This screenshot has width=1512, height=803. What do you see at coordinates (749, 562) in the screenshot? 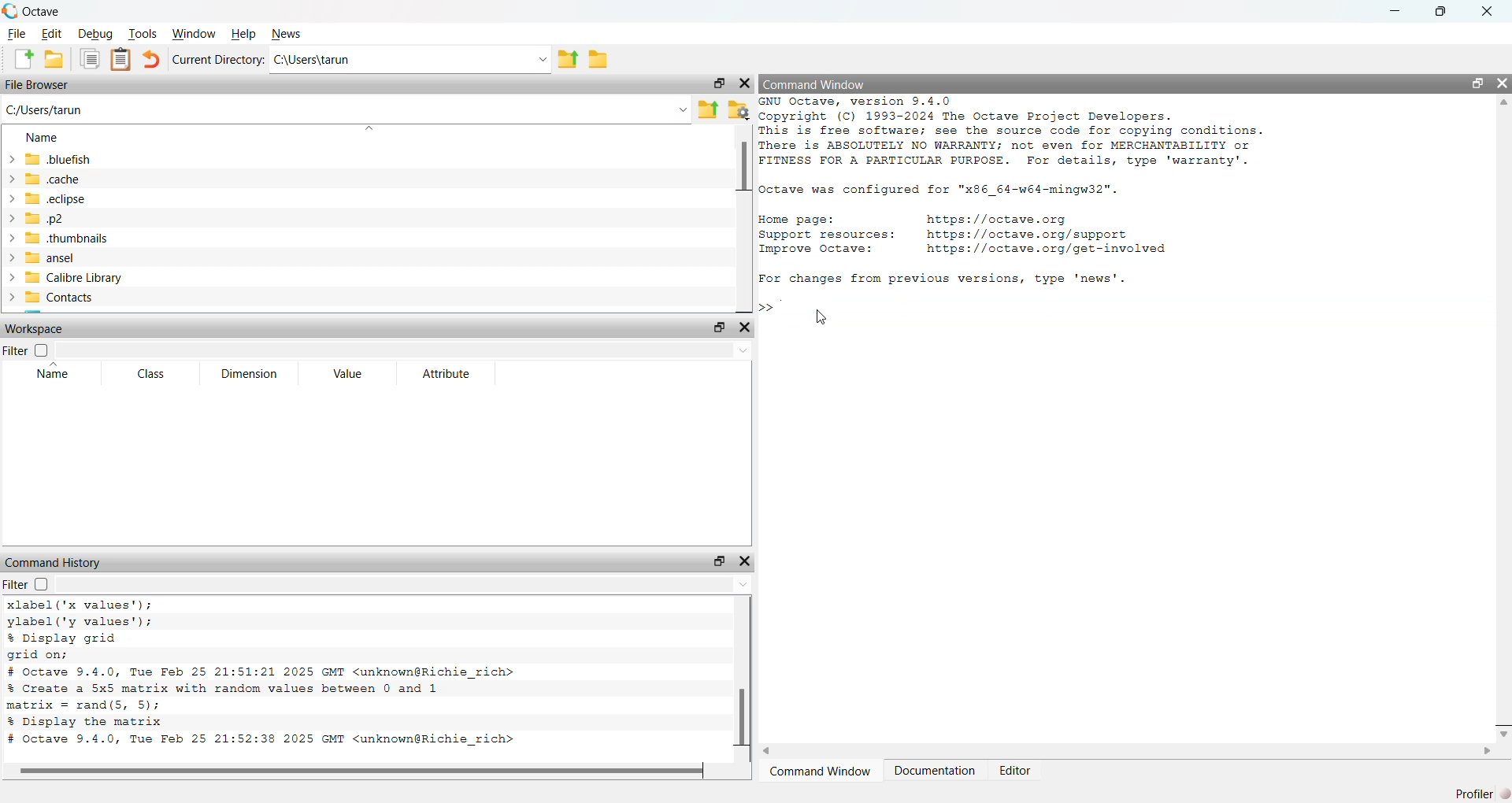
I see `close` at bounding box center [749, 562].